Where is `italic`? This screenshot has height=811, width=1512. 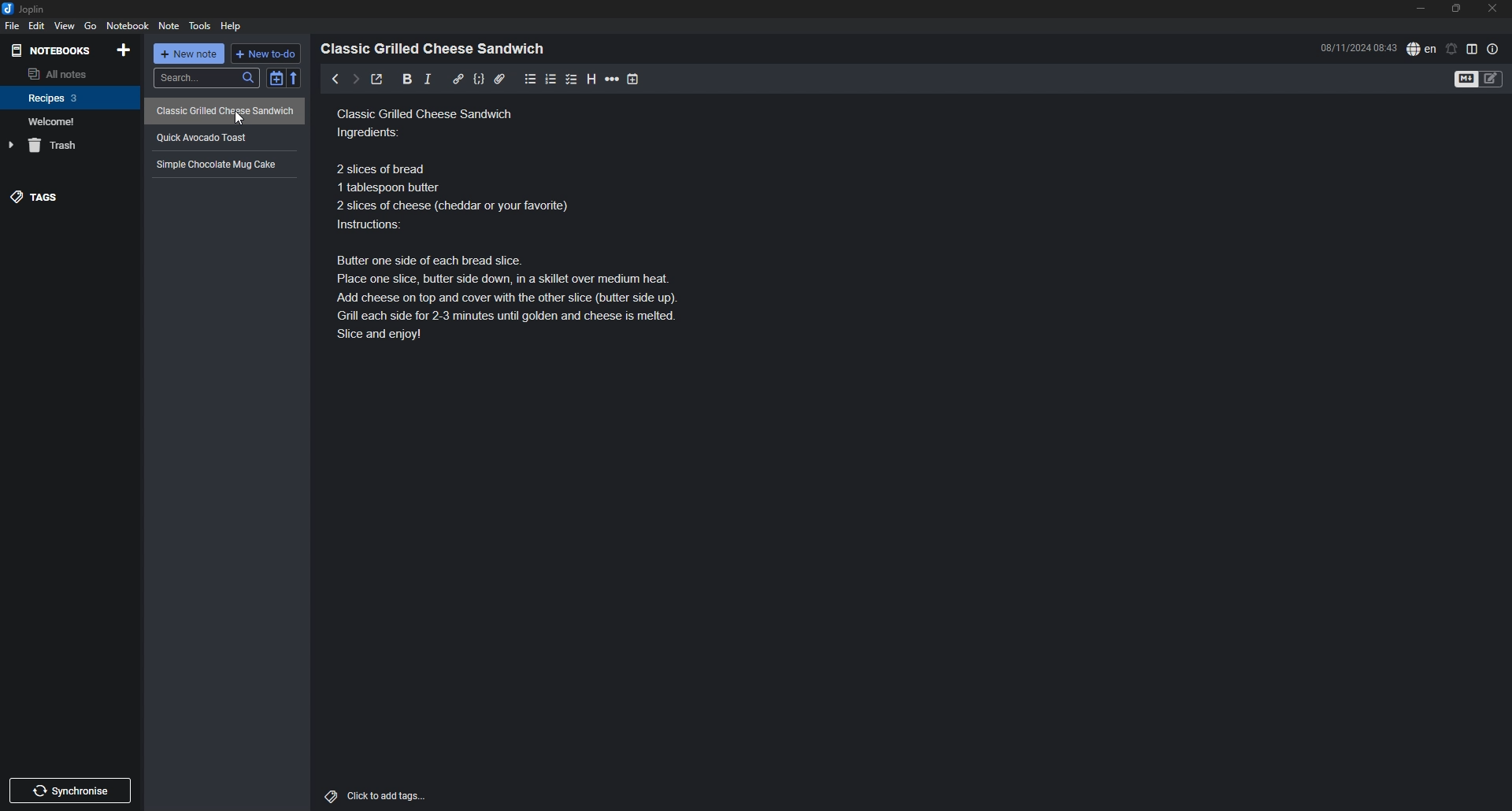 italic is located at coordinates (428, 79).